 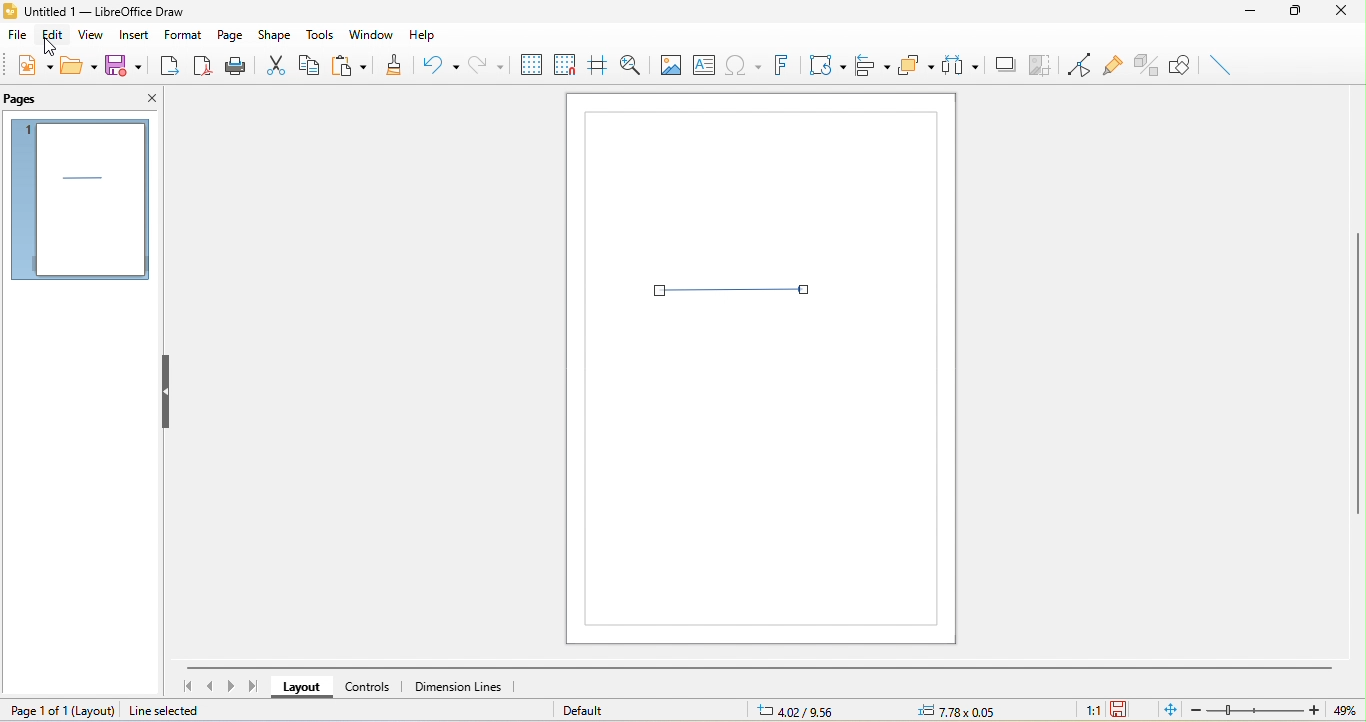 What do you see at coordinates (371, 686) in the screenshot?
I see `controls` at bounding box center [371, 686].